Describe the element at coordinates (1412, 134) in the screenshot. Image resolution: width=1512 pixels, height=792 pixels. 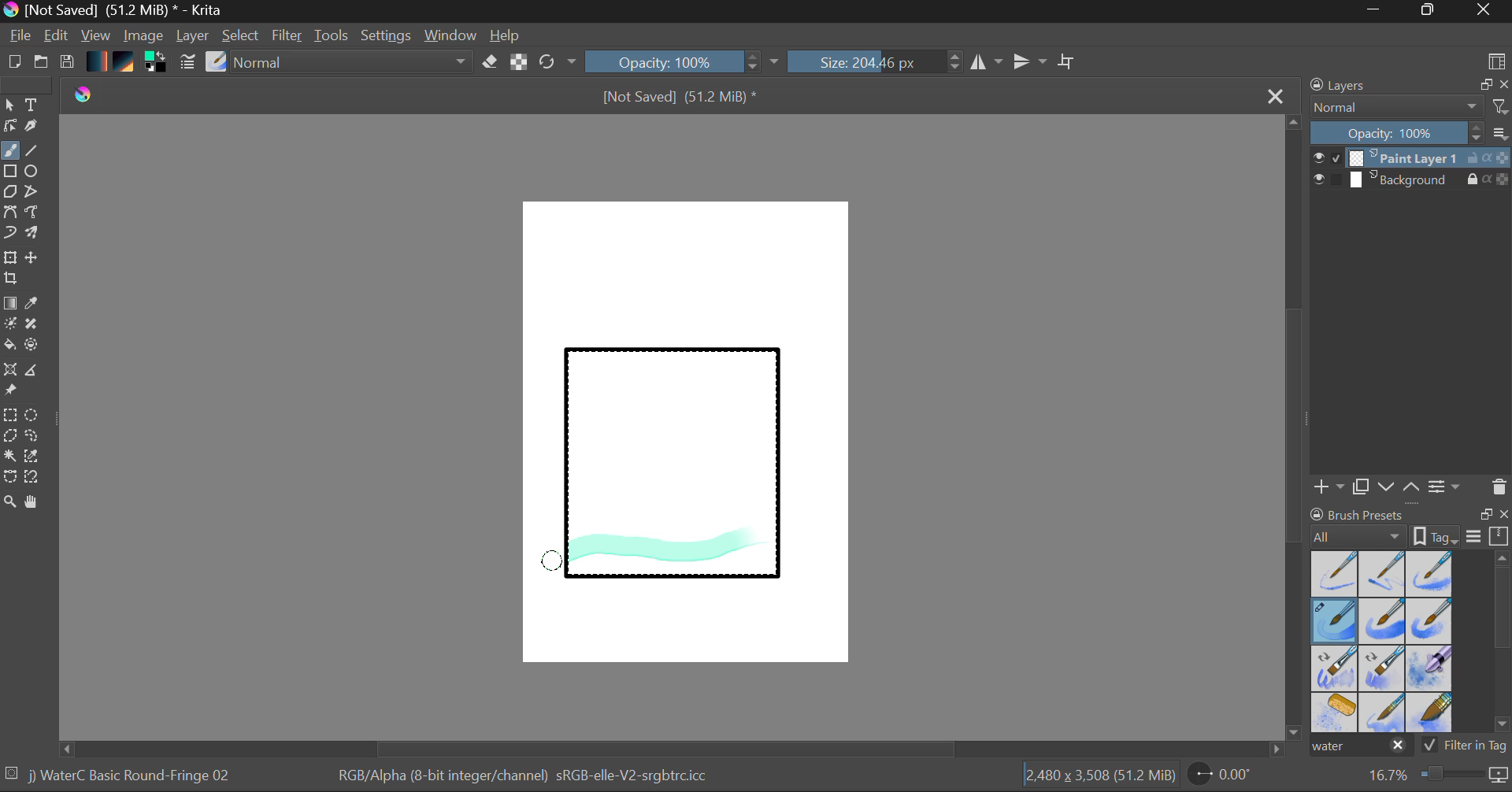
I see `Layer Opacity` at that location.